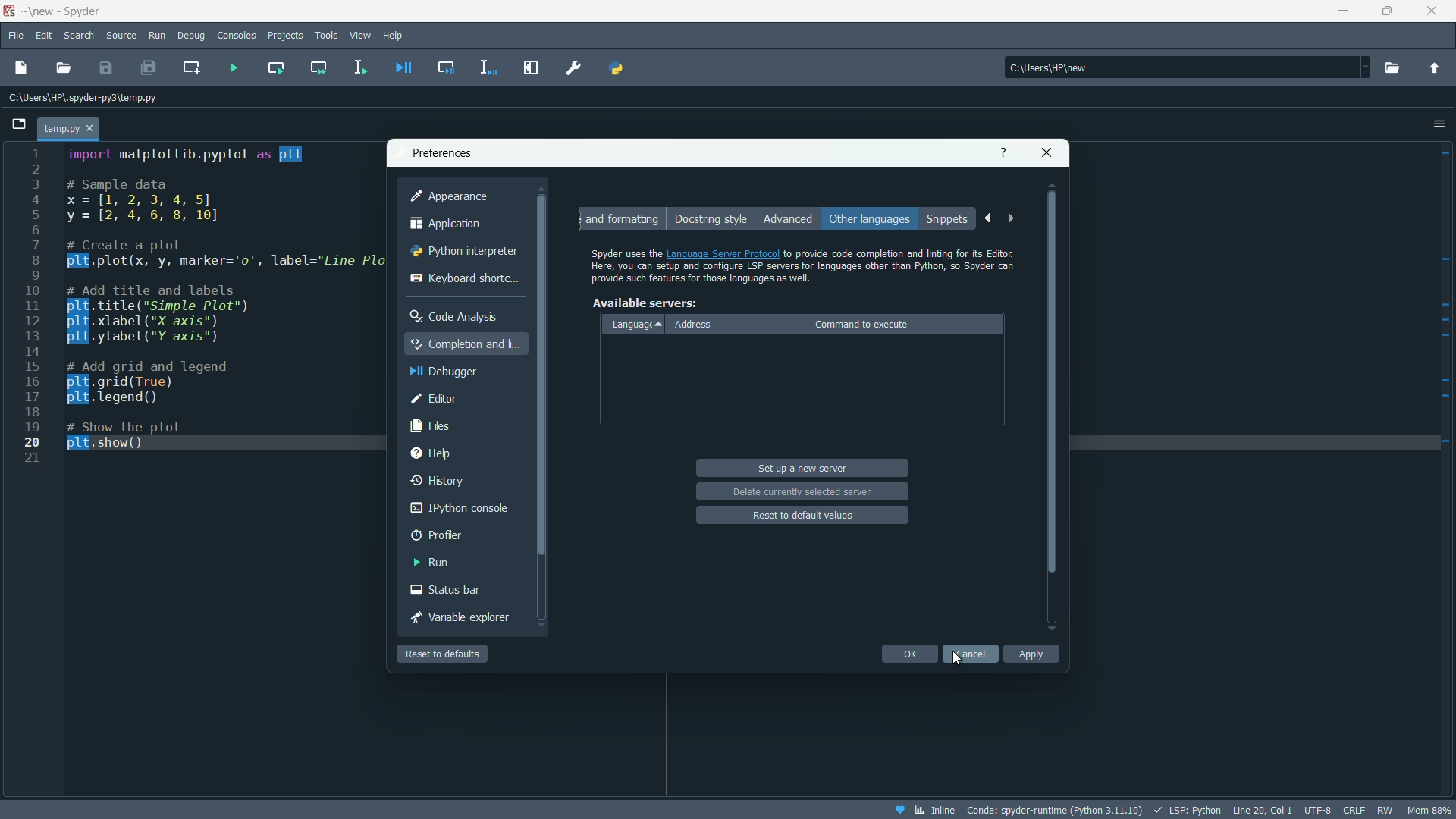 The height and width of the screenshot is (819, 1456). What do you see at coordinates (868, 220) in the screenshot?
I see `other languages` at bounding box center [868, 220].